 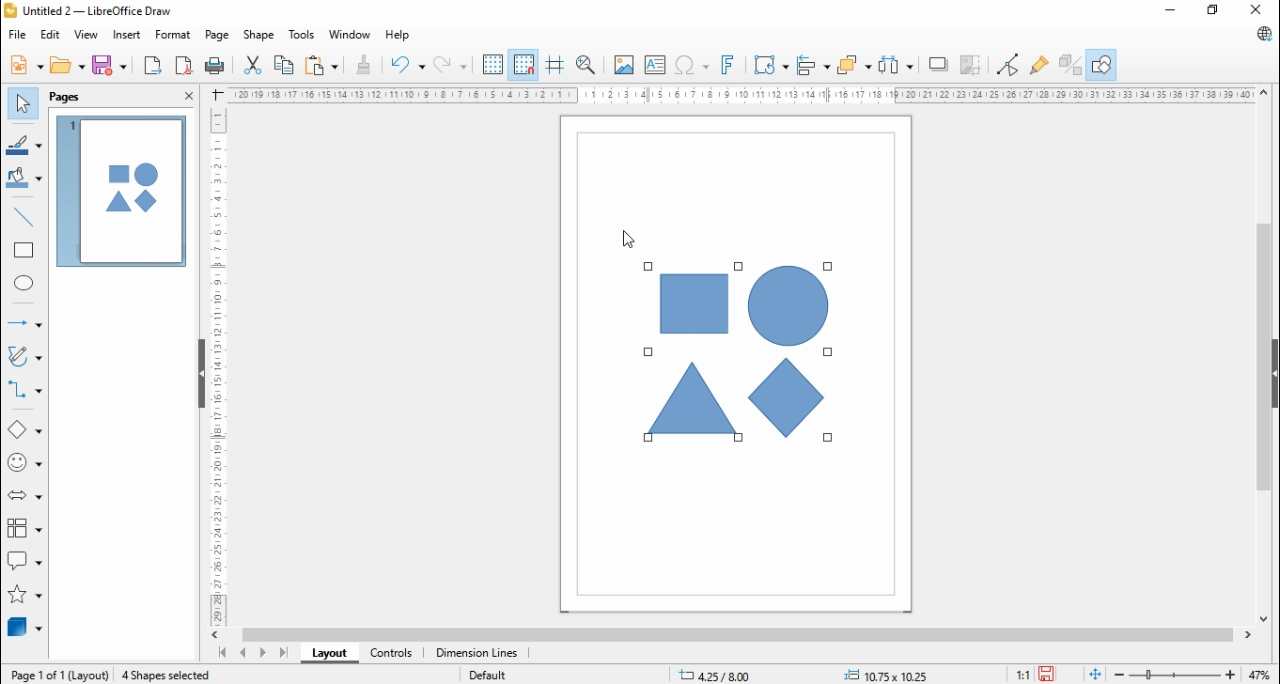 What do you see at coordinates (52, 35) in the screenshot?
I see `edit` at bounding box center [52, 35].